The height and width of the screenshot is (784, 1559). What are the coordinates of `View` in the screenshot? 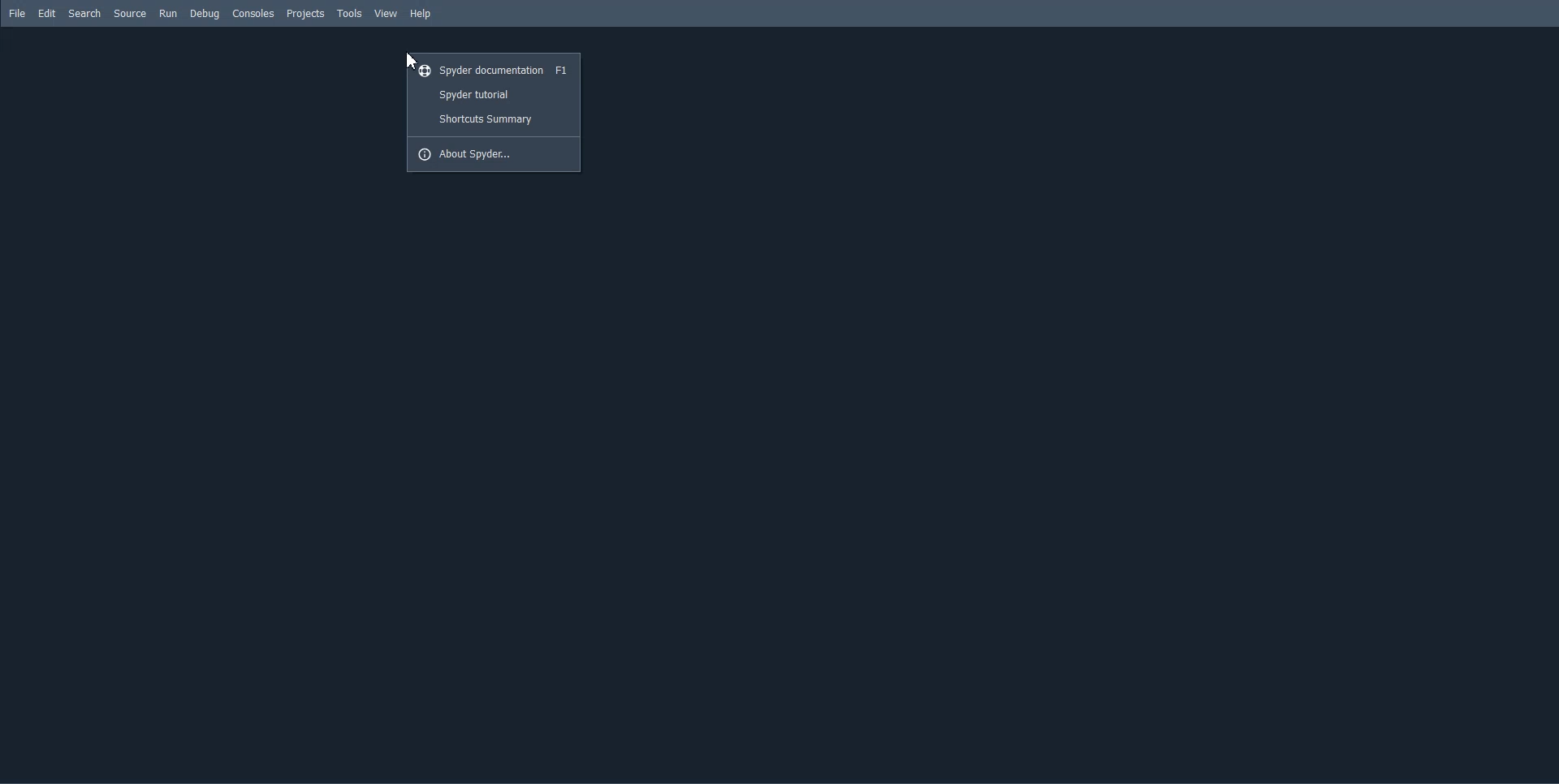 It's located at (387, 14).